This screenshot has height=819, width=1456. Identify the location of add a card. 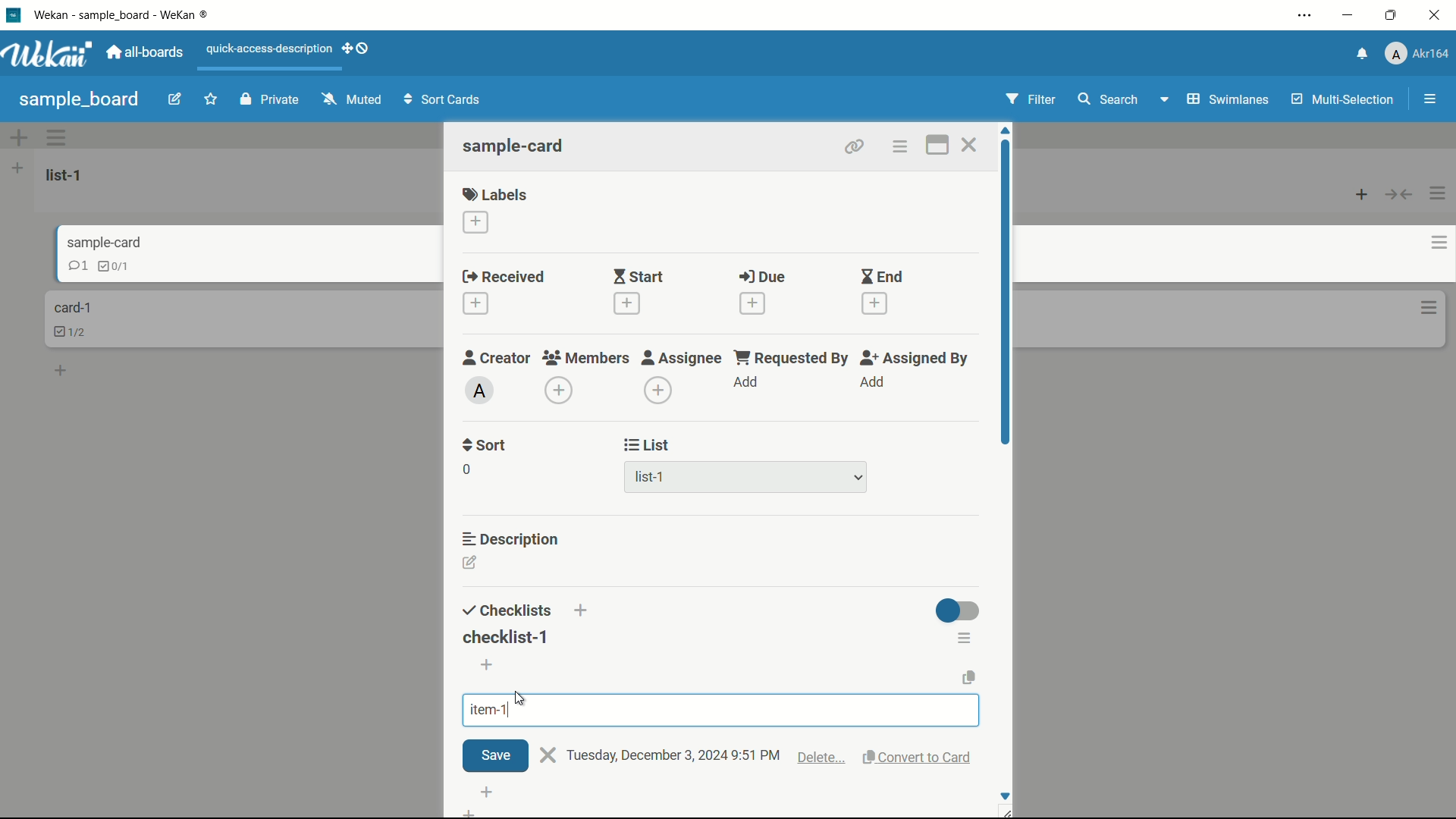
(62, 372).